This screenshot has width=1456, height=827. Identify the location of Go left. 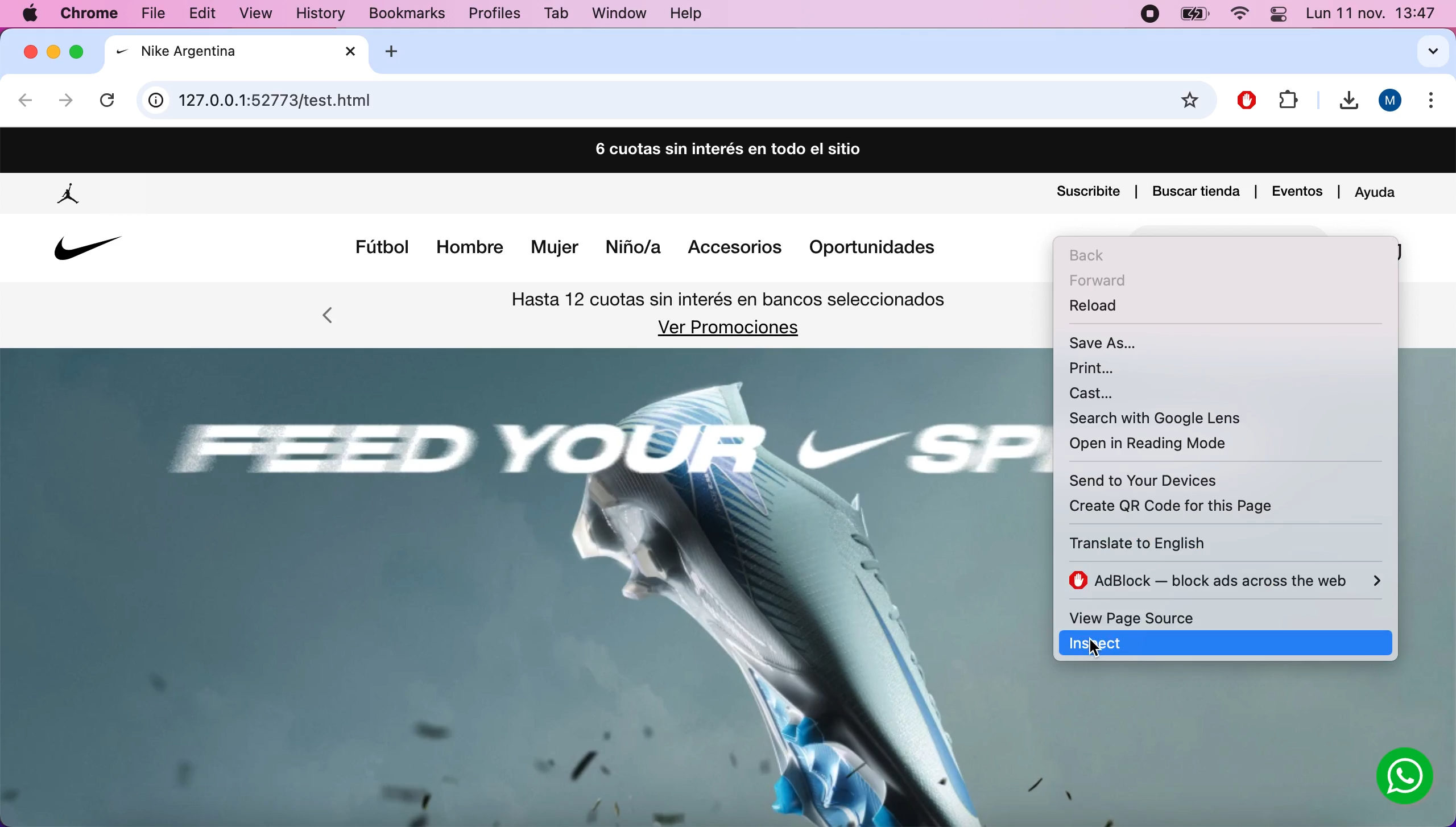
(329, 319).